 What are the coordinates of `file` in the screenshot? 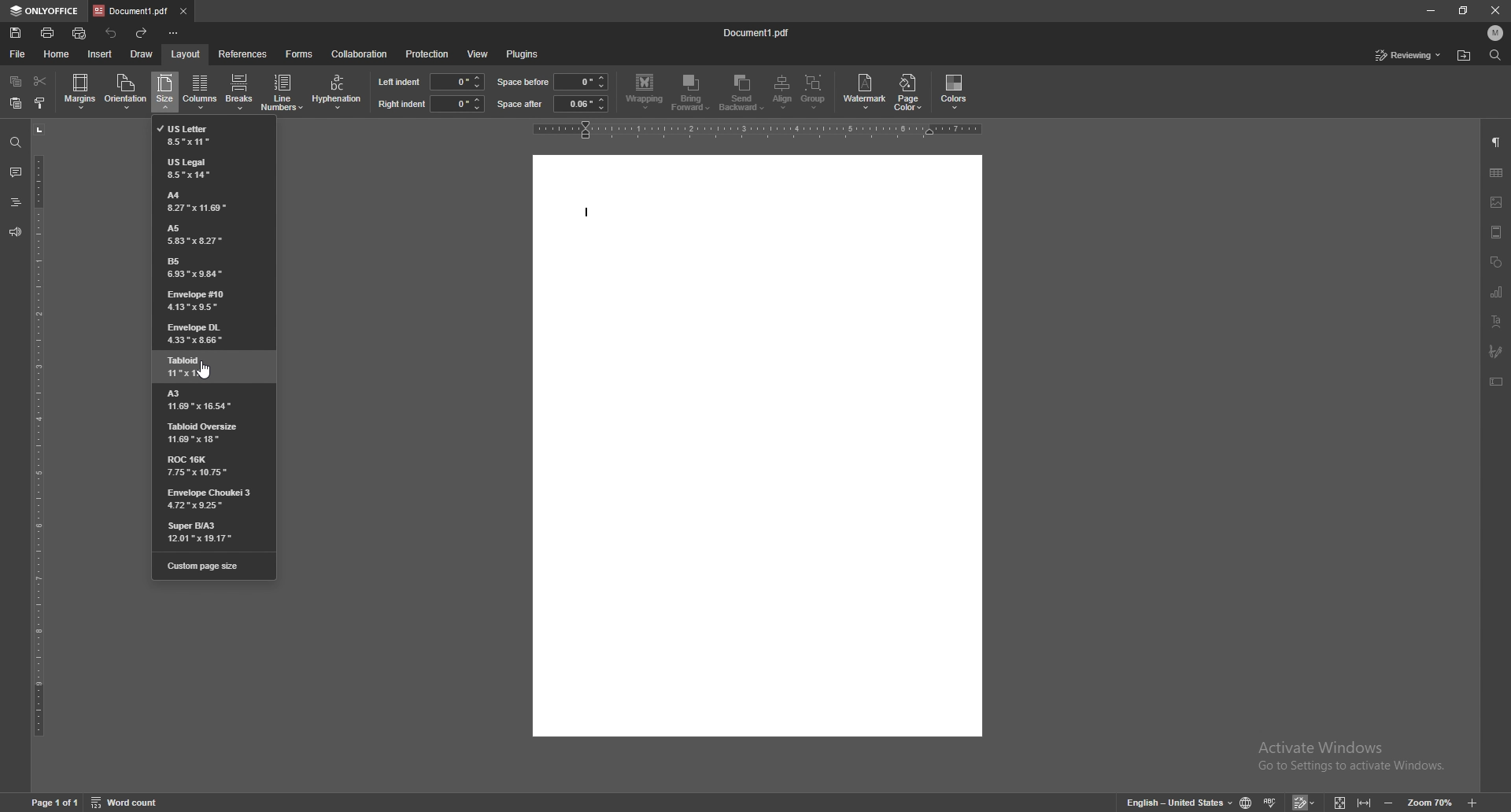 It's located at (17, 54).